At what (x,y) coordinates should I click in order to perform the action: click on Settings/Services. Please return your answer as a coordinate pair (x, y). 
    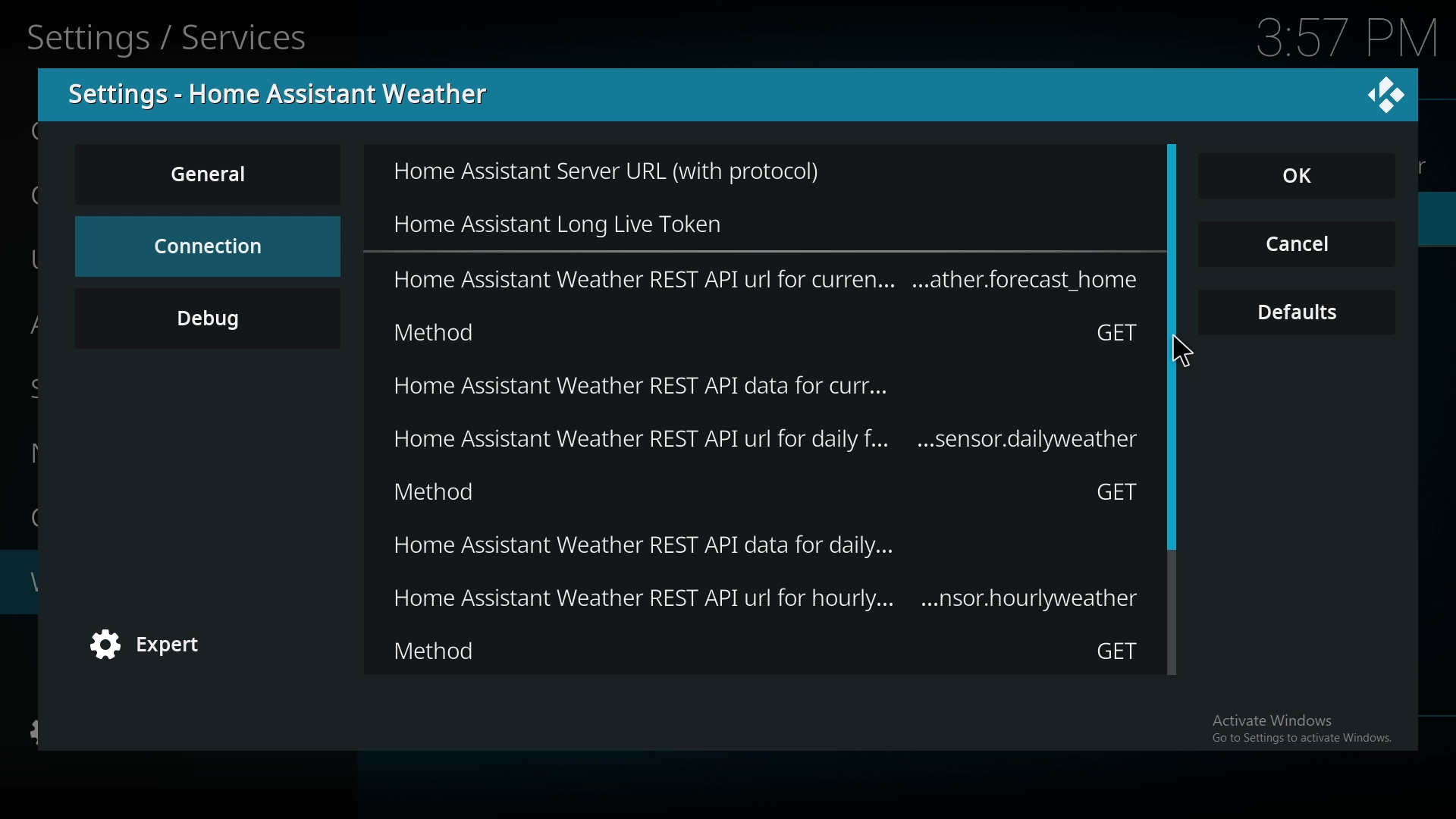
    Looking at the image, I should click on (171, 35).